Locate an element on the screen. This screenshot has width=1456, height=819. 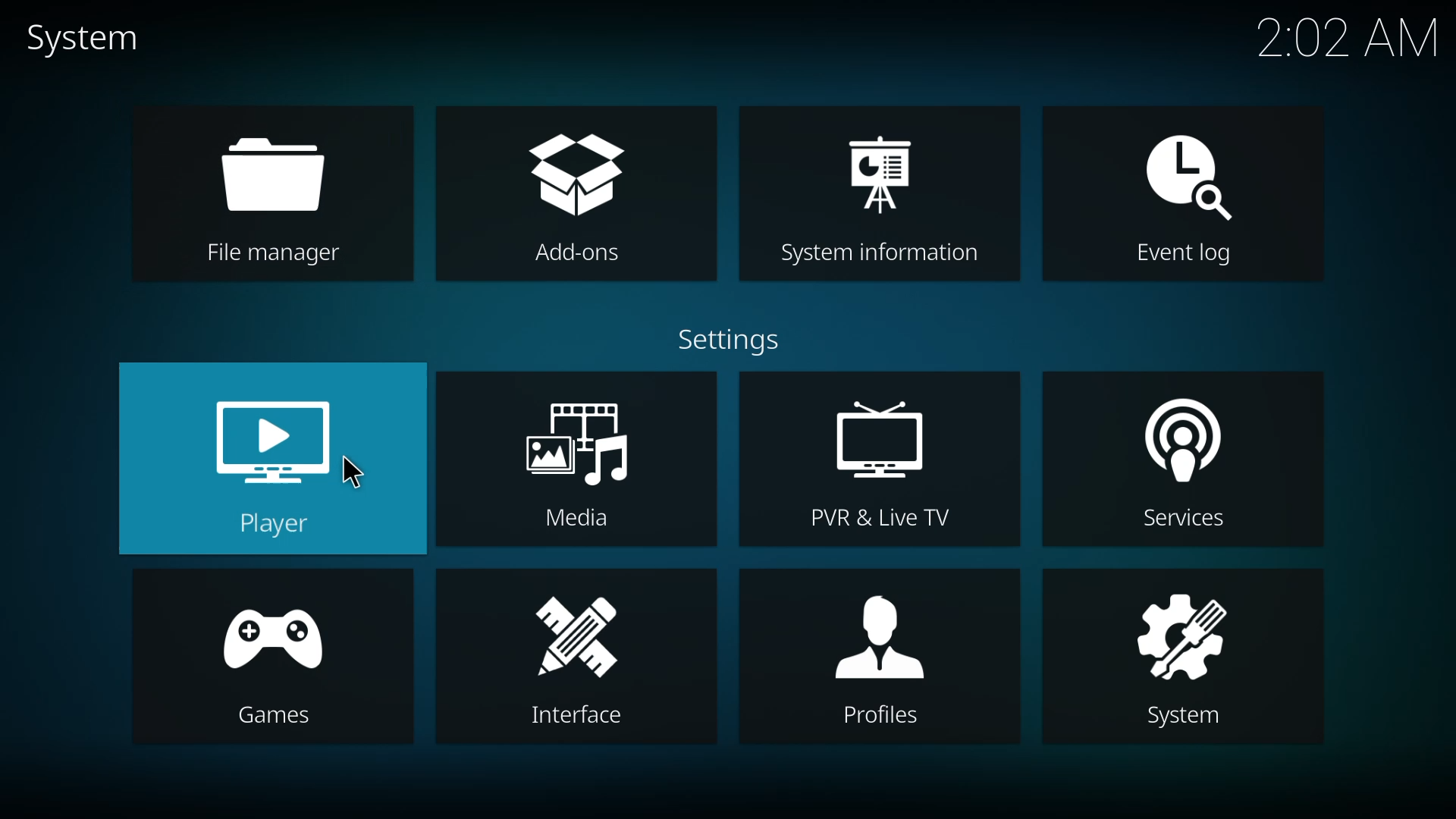
profiles is located at coordinates (879, 657).